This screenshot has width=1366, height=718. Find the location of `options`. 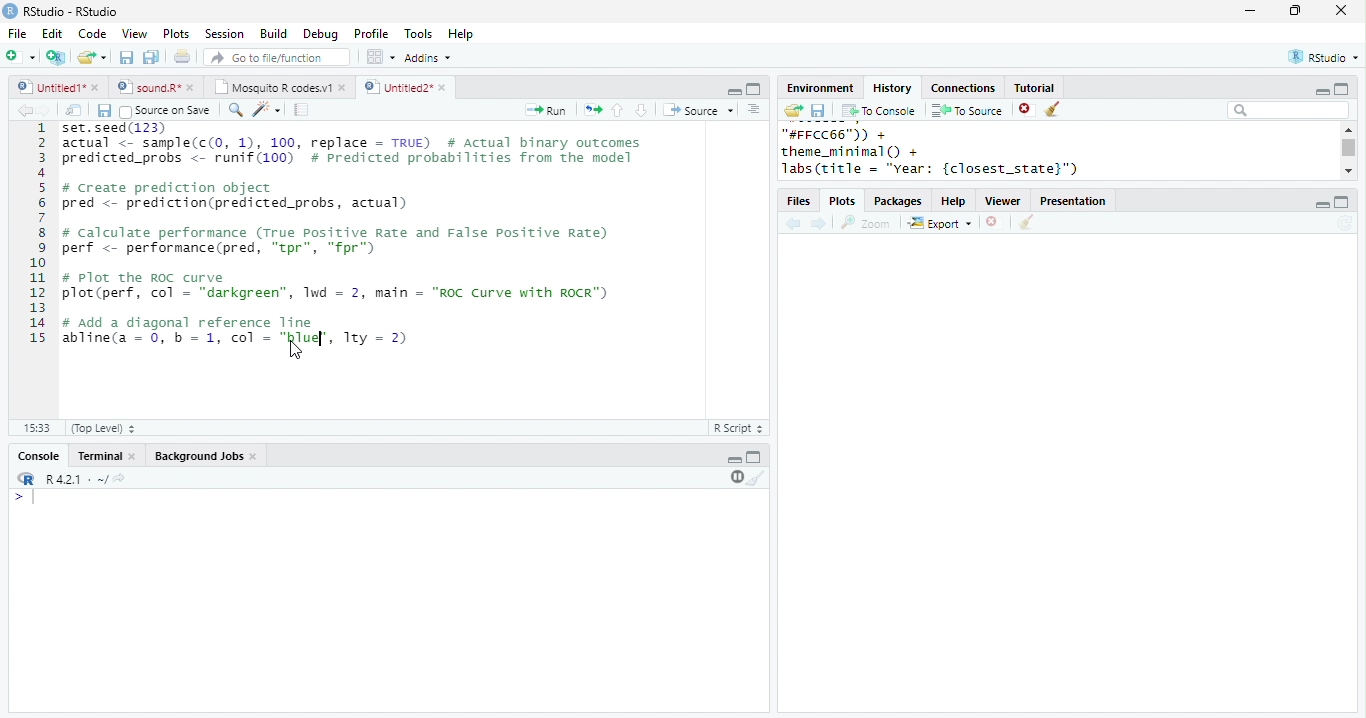

options is located at coordinates (379, 57).